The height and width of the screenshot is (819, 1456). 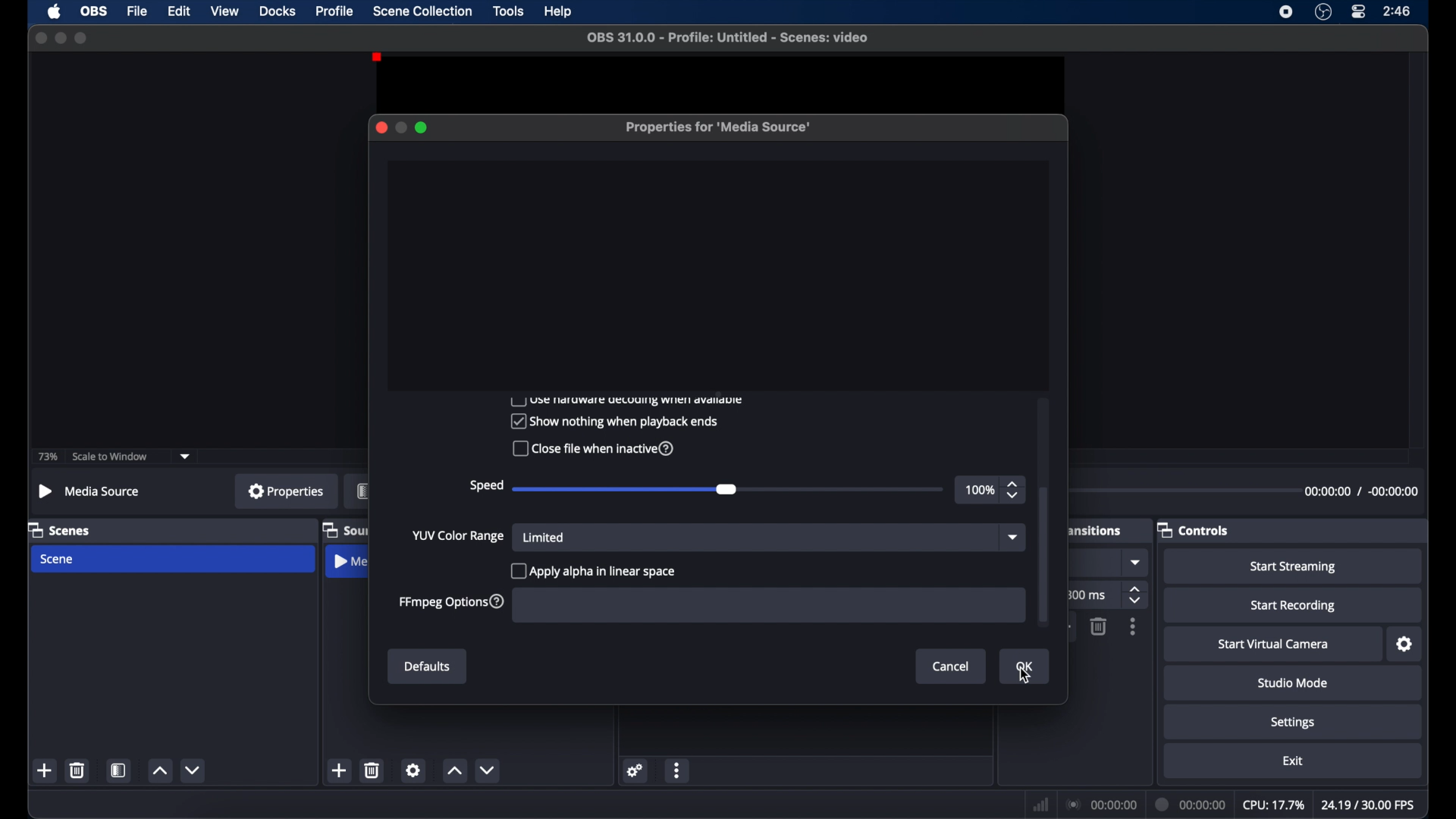 What do you see at coordinates (428, 667) in the screenshot?
I see `defaults` at bounding box center [428, 667].